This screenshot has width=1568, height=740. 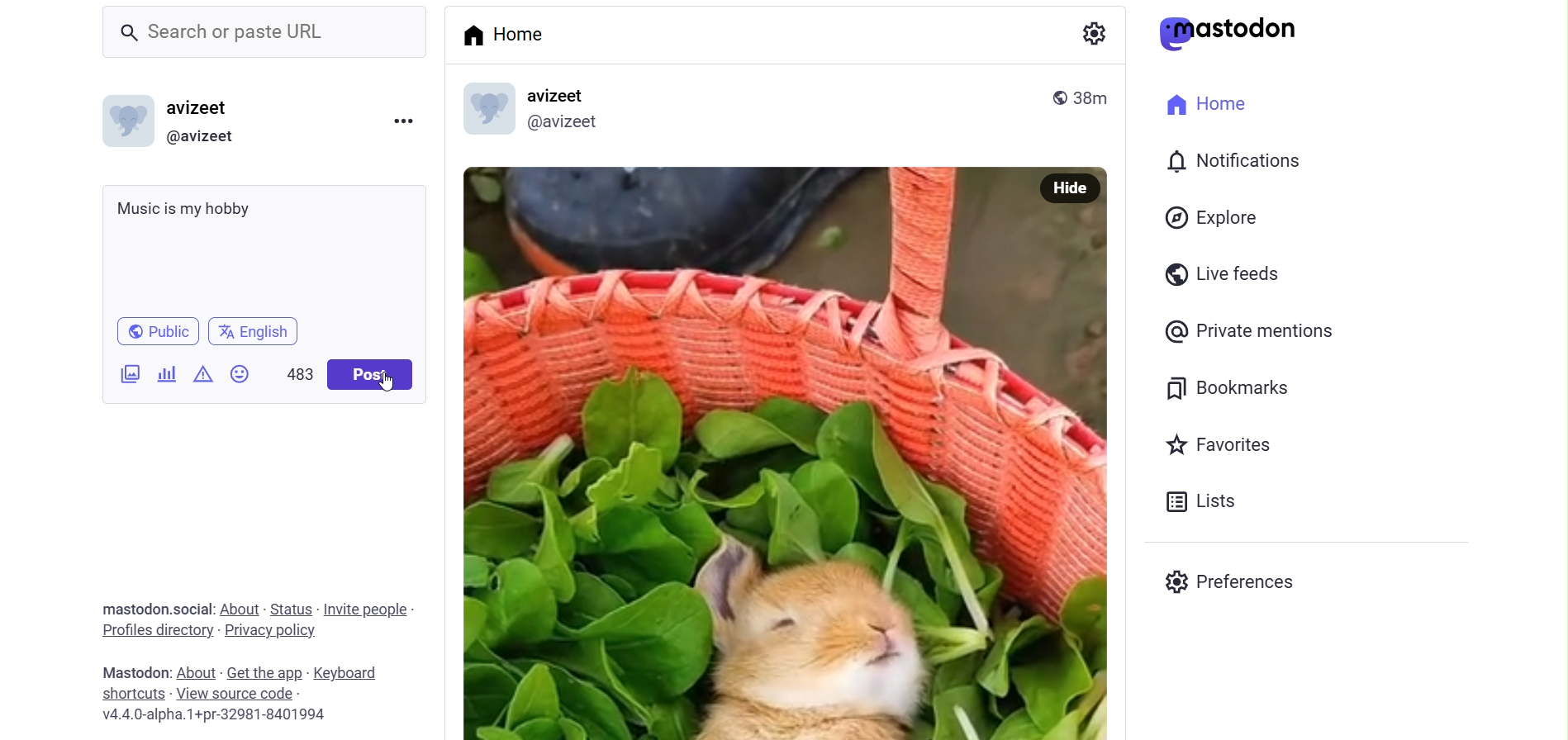 What do you see at coordinates (388, 382) in the screenshot?
I see `Cursor` at bounding box center [388, 382].